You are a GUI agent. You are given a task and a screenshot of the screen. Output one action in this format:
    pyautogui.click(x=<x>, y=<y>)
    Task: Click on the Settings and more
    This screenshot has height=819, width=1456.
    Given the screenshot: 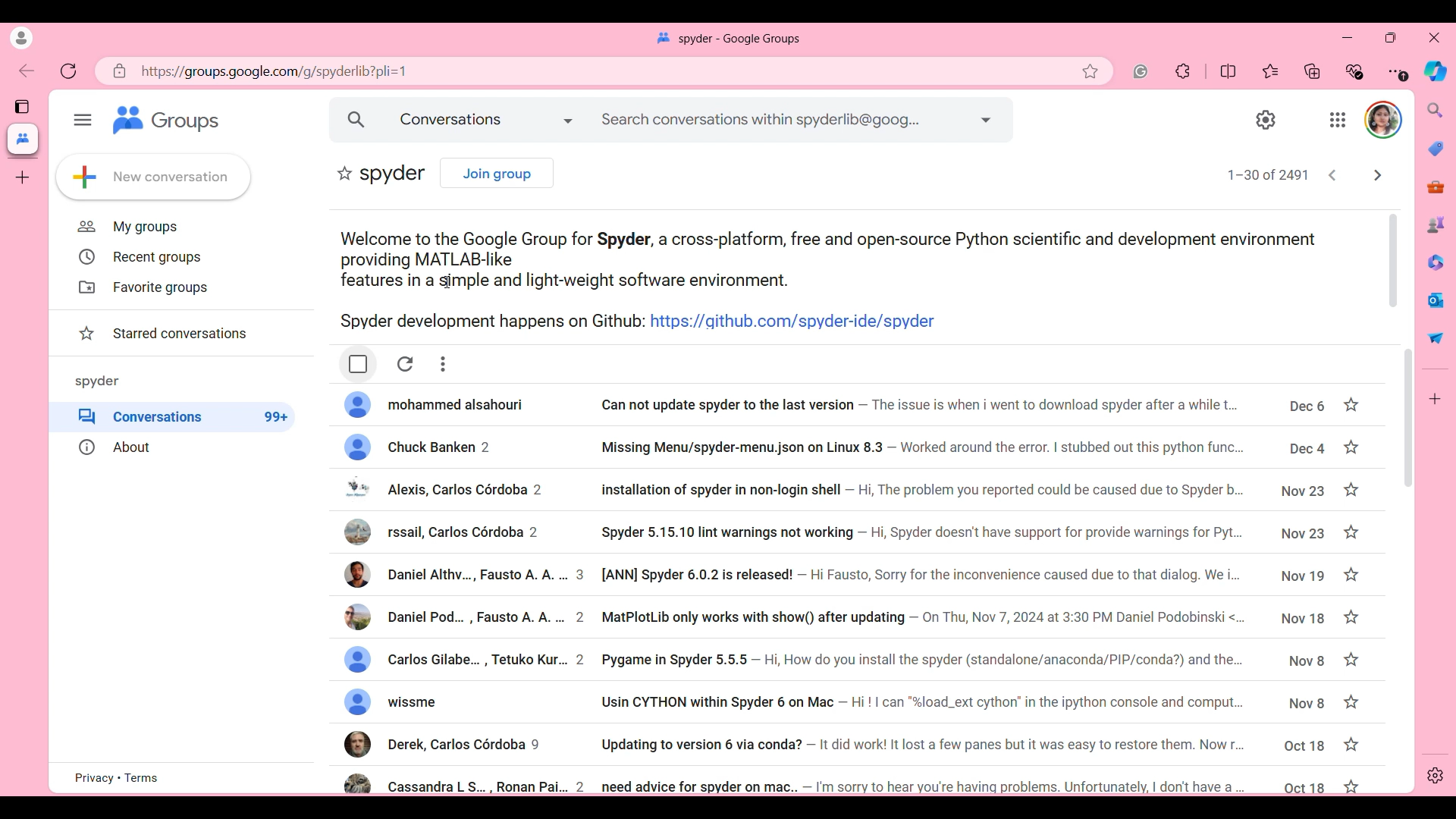 What is the action you would take?
    pyautogui.click(x=1398, y=72)
    